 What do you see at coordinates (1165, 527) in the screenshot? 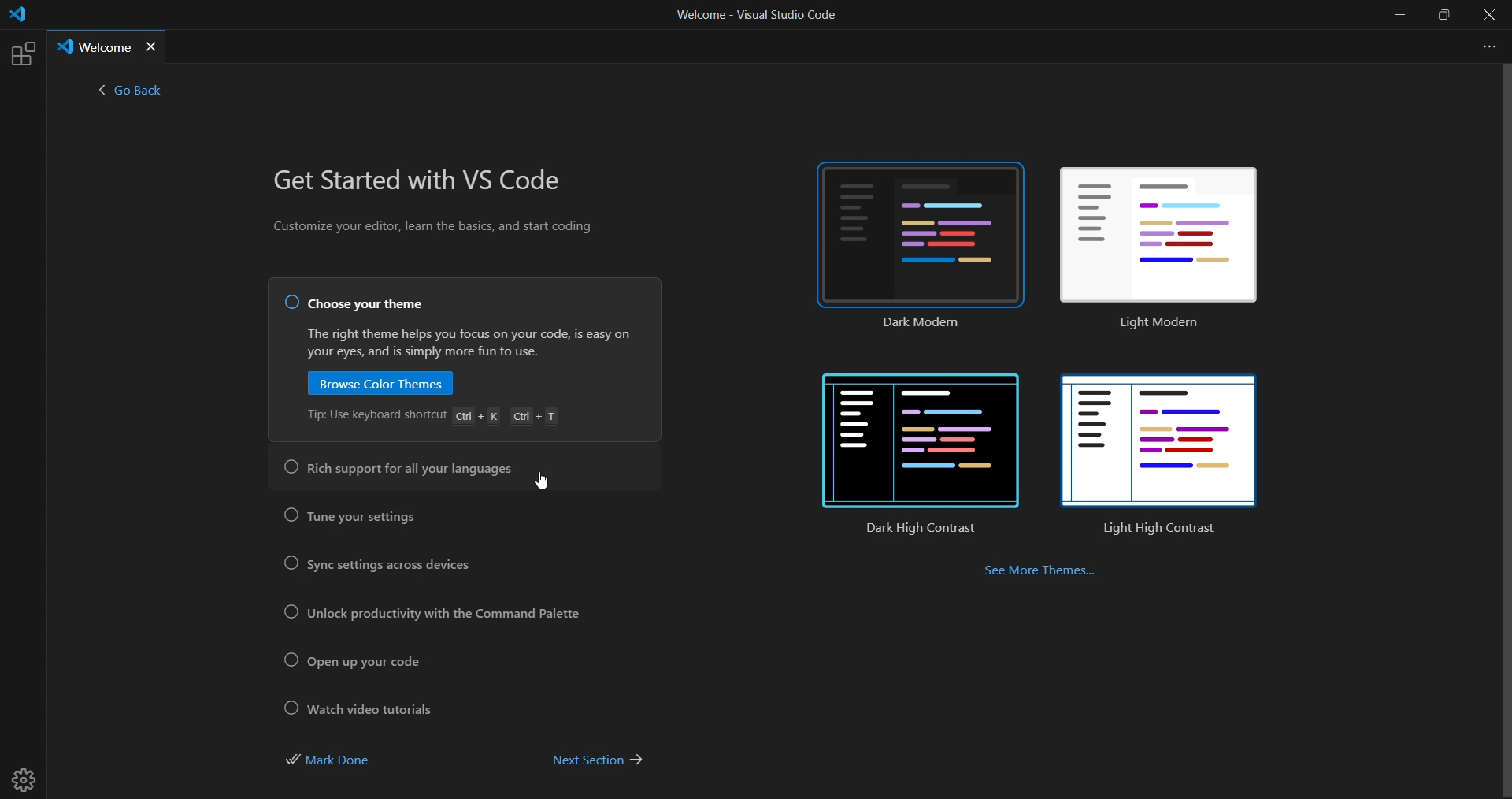
I see `light high contrast` at bounding box center [1165, 527].